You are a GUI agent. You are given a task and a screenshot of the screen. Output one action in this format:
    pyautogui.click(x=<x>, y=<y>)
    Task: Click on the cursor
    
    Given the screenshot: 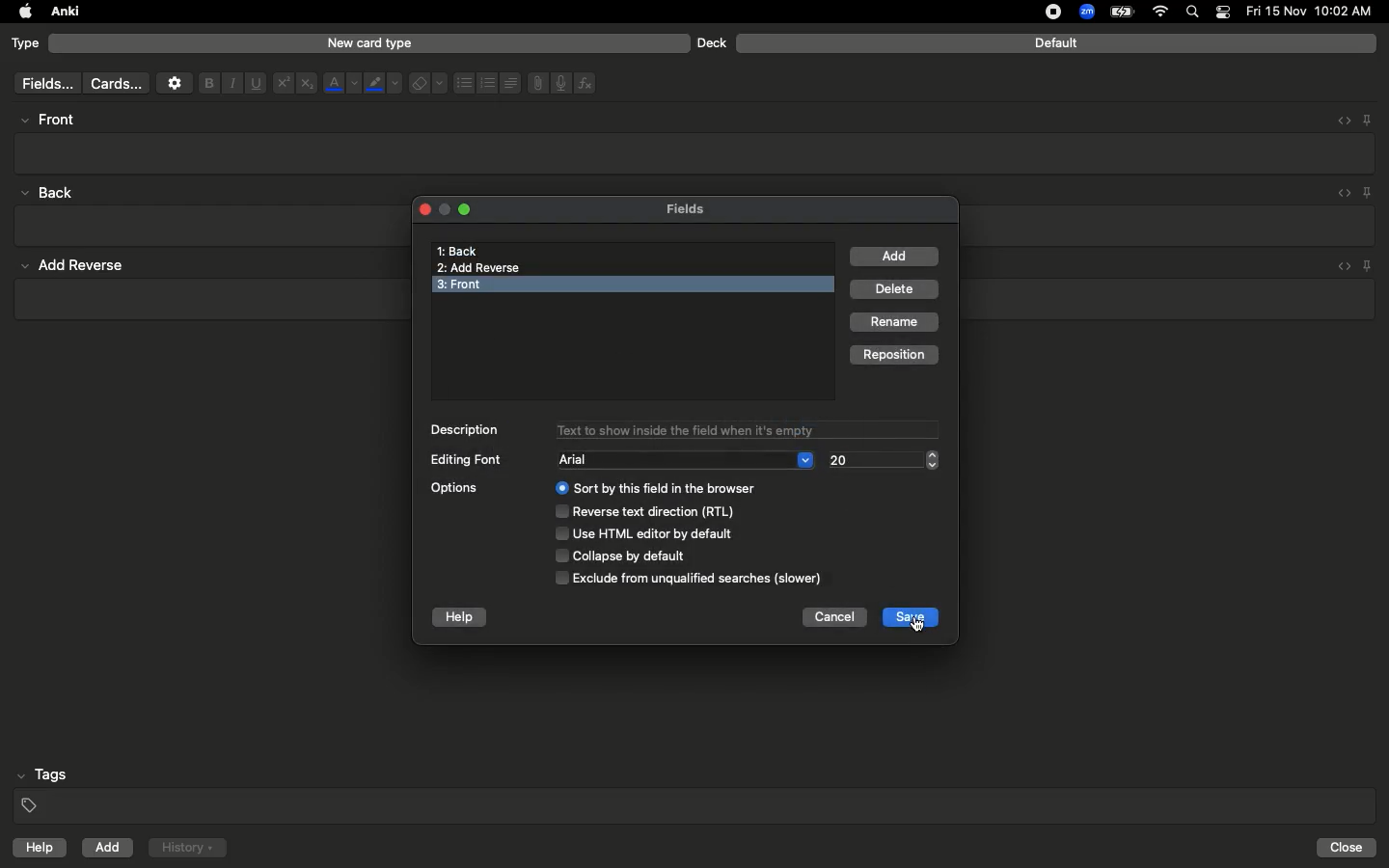 What is the action you would take?
    pyautogui.click(x=920, y=628)
    